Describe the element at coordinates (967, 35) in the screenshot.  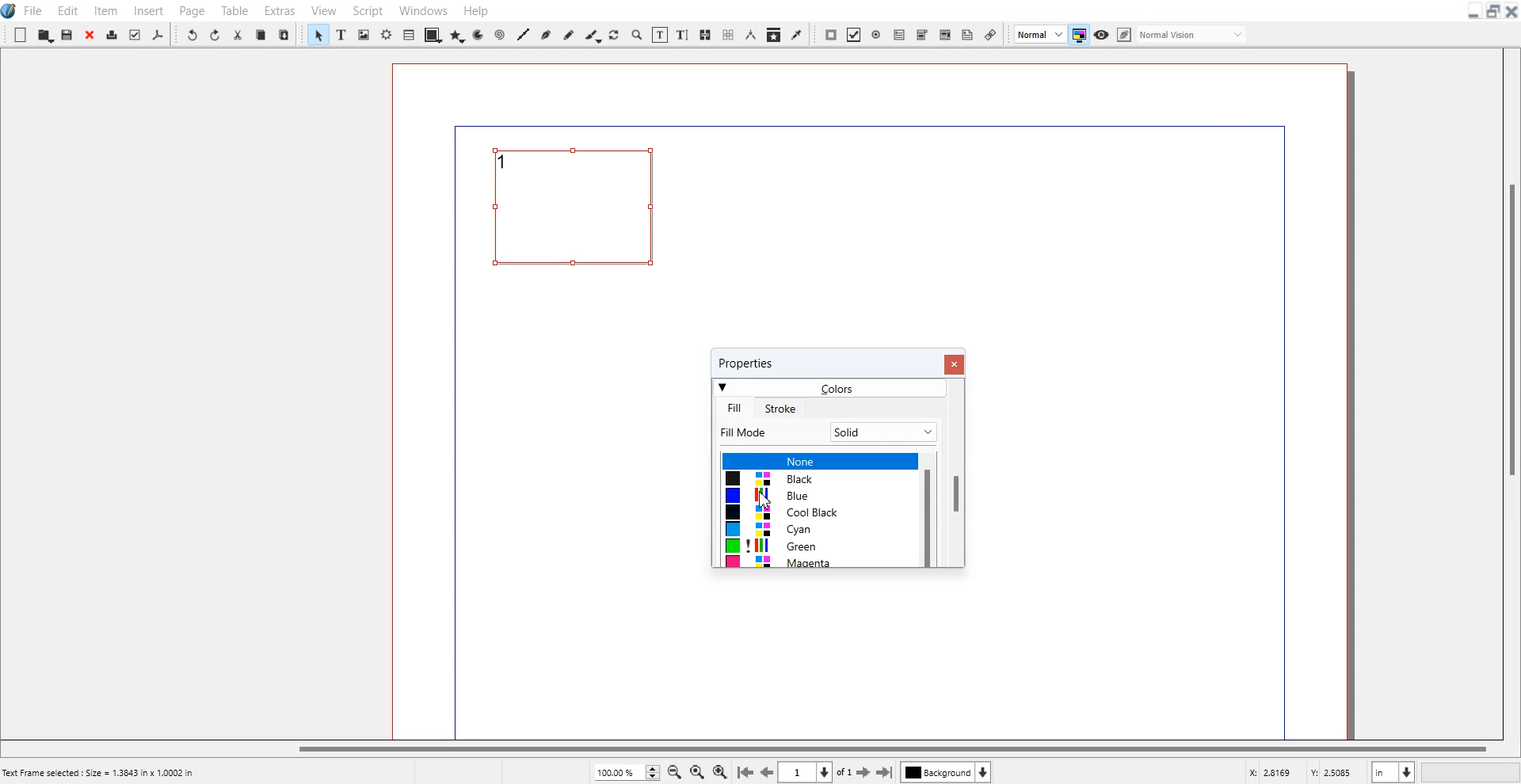
I see `Text Annotation` at that location.